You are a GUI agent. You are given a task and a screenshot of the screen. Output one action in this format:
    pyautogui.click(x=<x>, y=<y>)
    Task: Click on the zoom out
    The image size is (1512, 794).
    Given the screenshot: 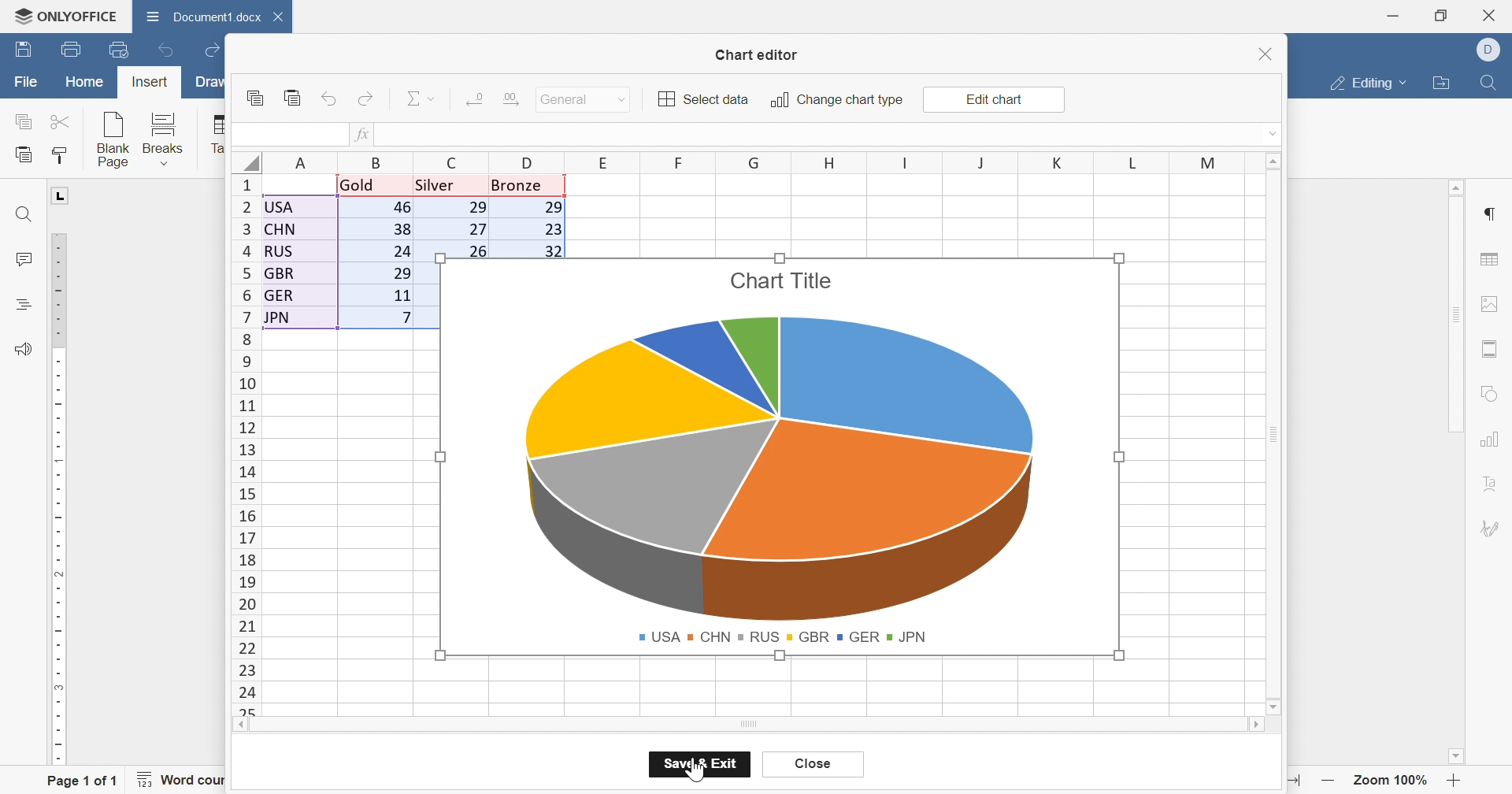 What is the action you would take?
    pyautogui.click(x=1325, y=780)
    